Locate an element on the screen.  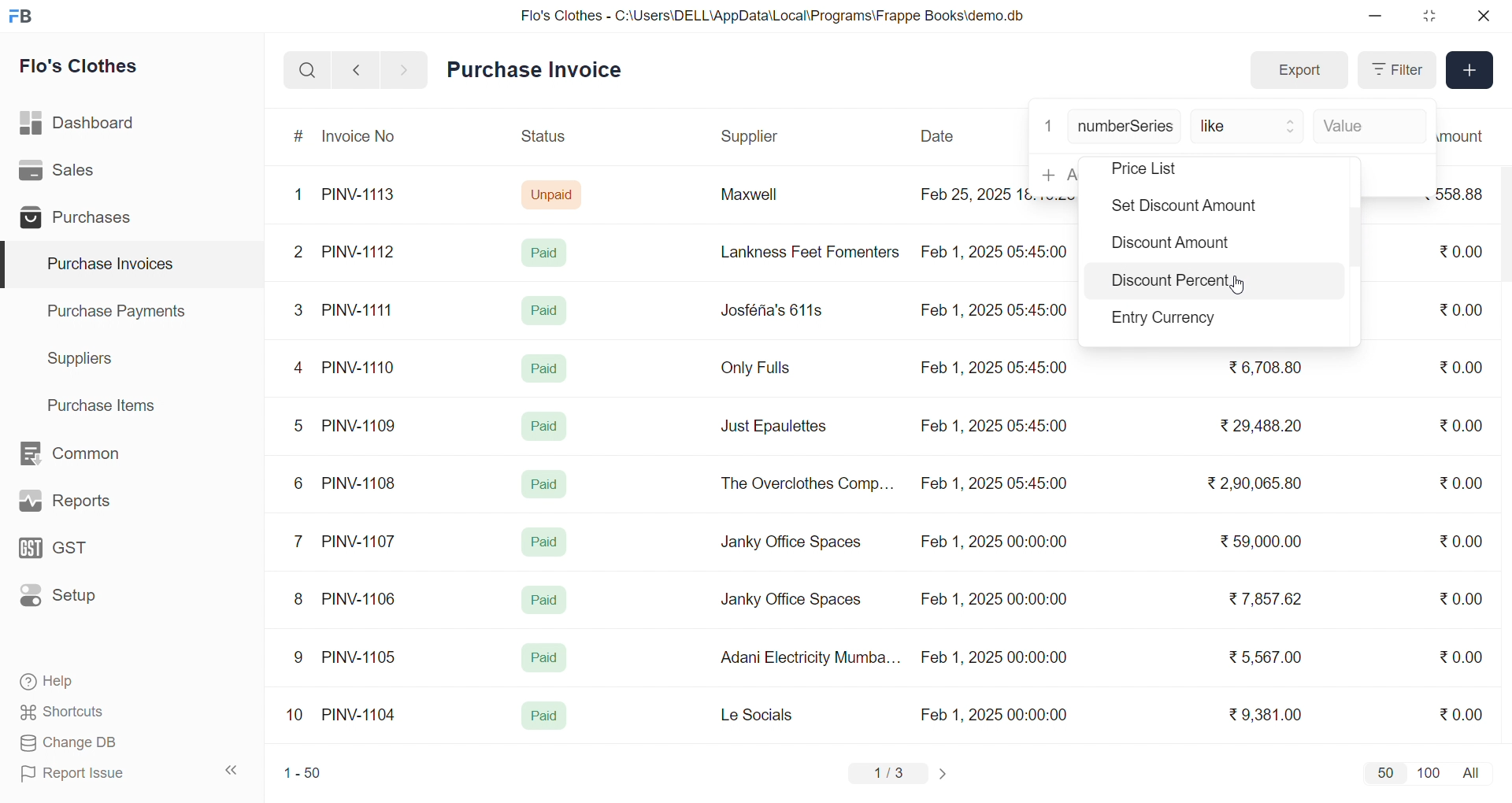
₹0.00 is located at coordinates (1460, 485).